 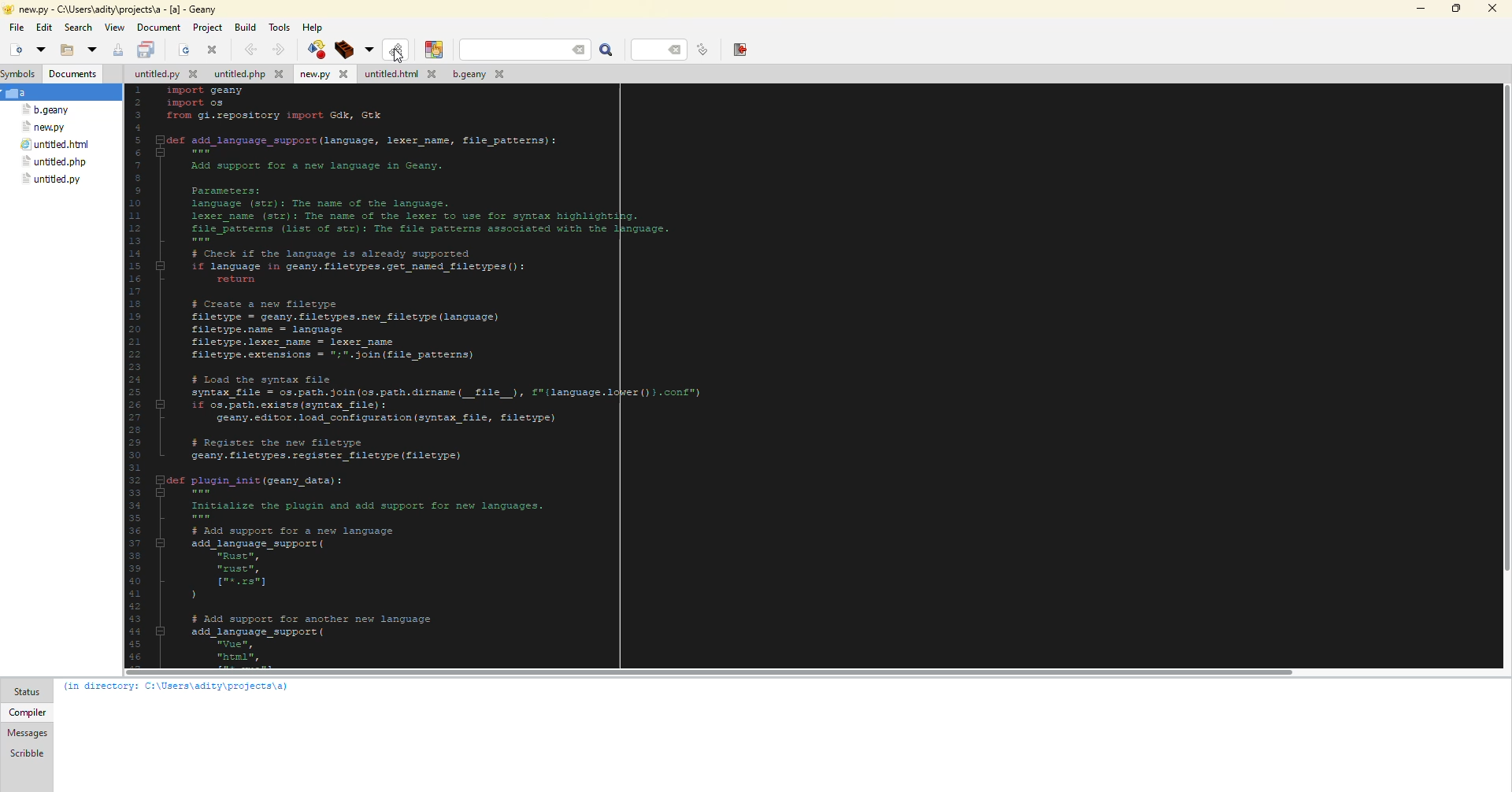 What do you see at coordinates (369, 49) in the screenshot?
I see `build options` at bounding box center [369, 49].